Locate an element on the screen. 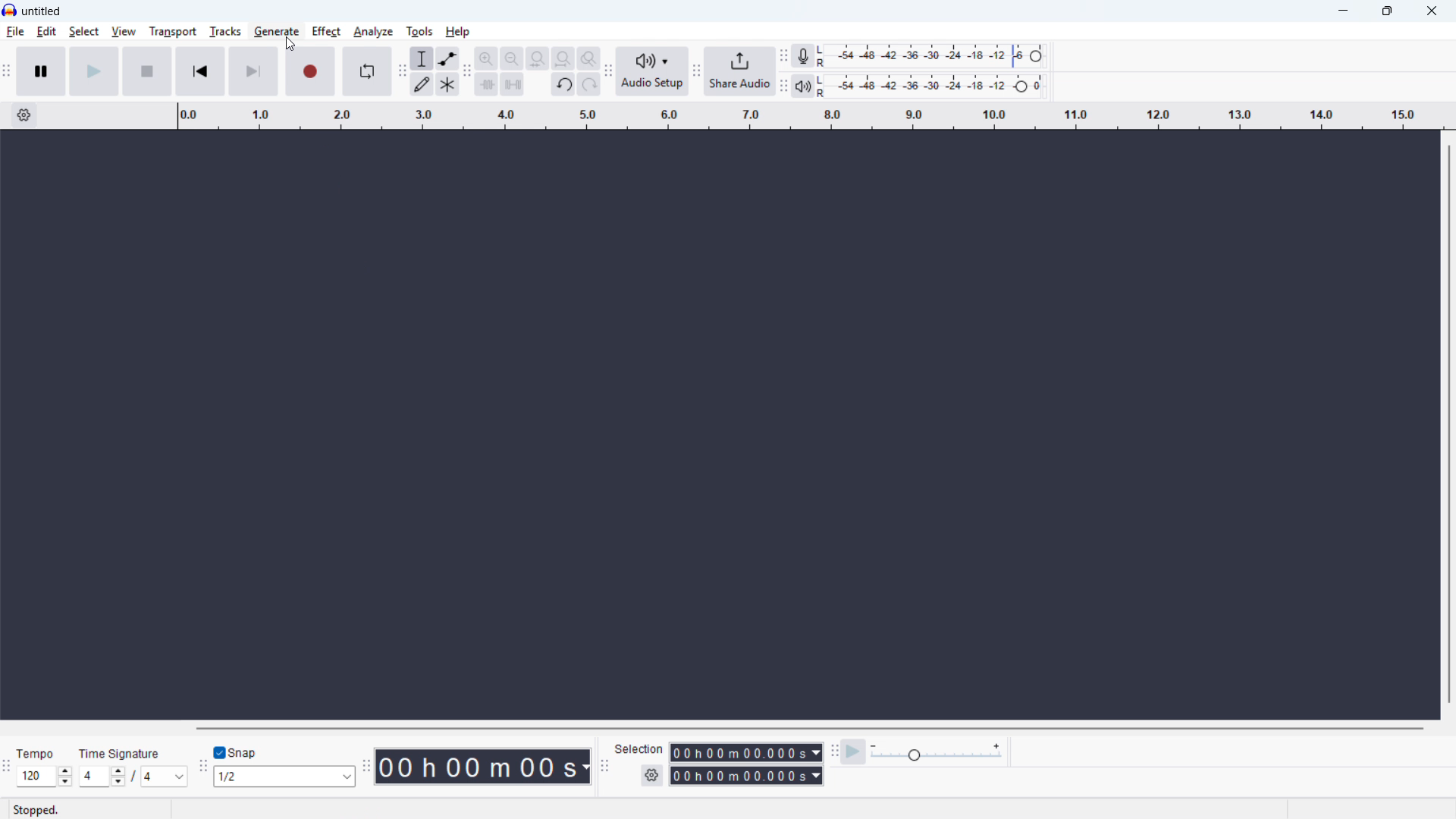 Image resolution: width=1456 pixels, height=819 pixels. Recording level is located at coordinates (935, 56).